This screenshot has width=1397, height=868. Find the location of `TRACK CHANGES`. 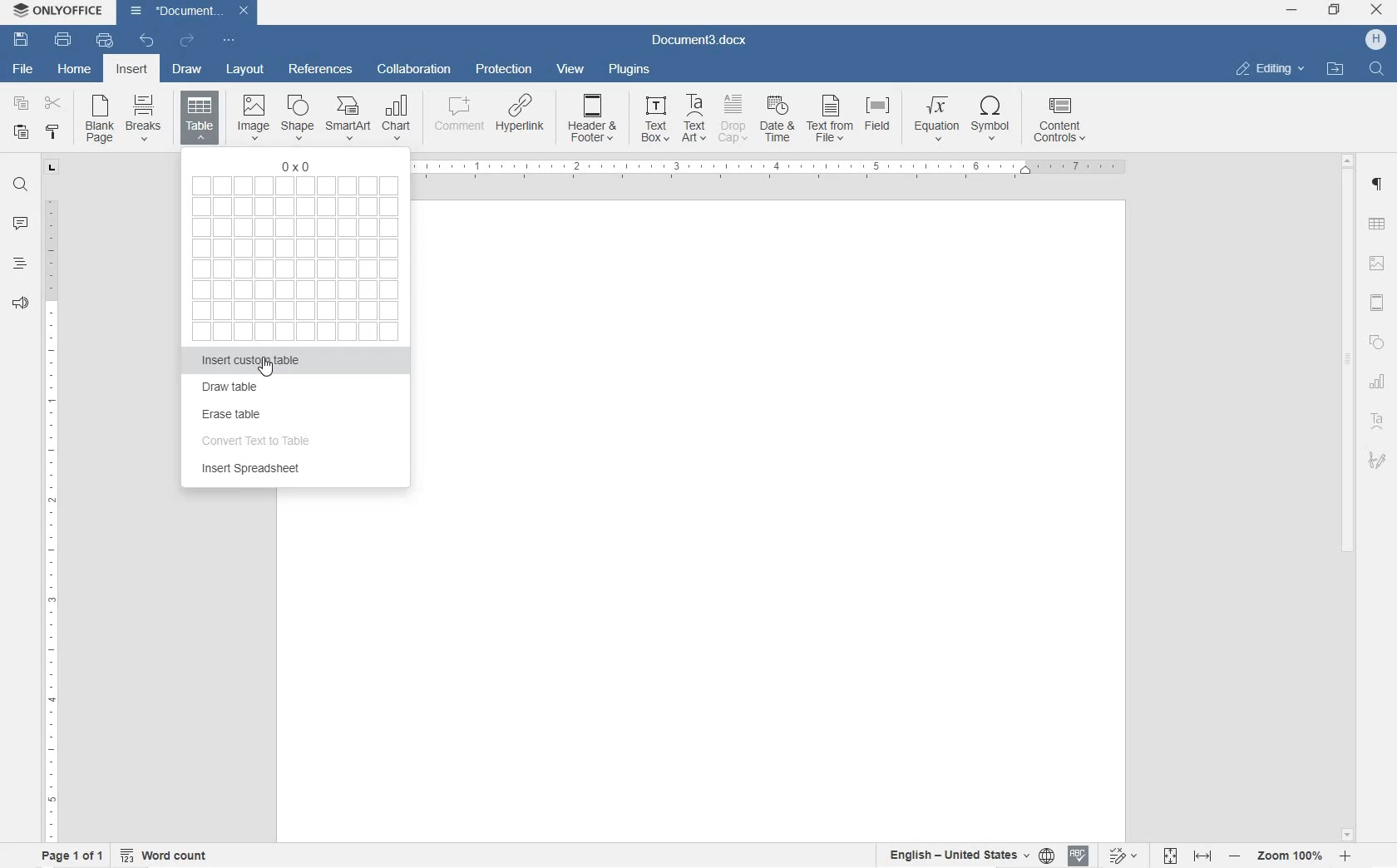

TRACK CHANGES is located at coordinates (1122, 855).